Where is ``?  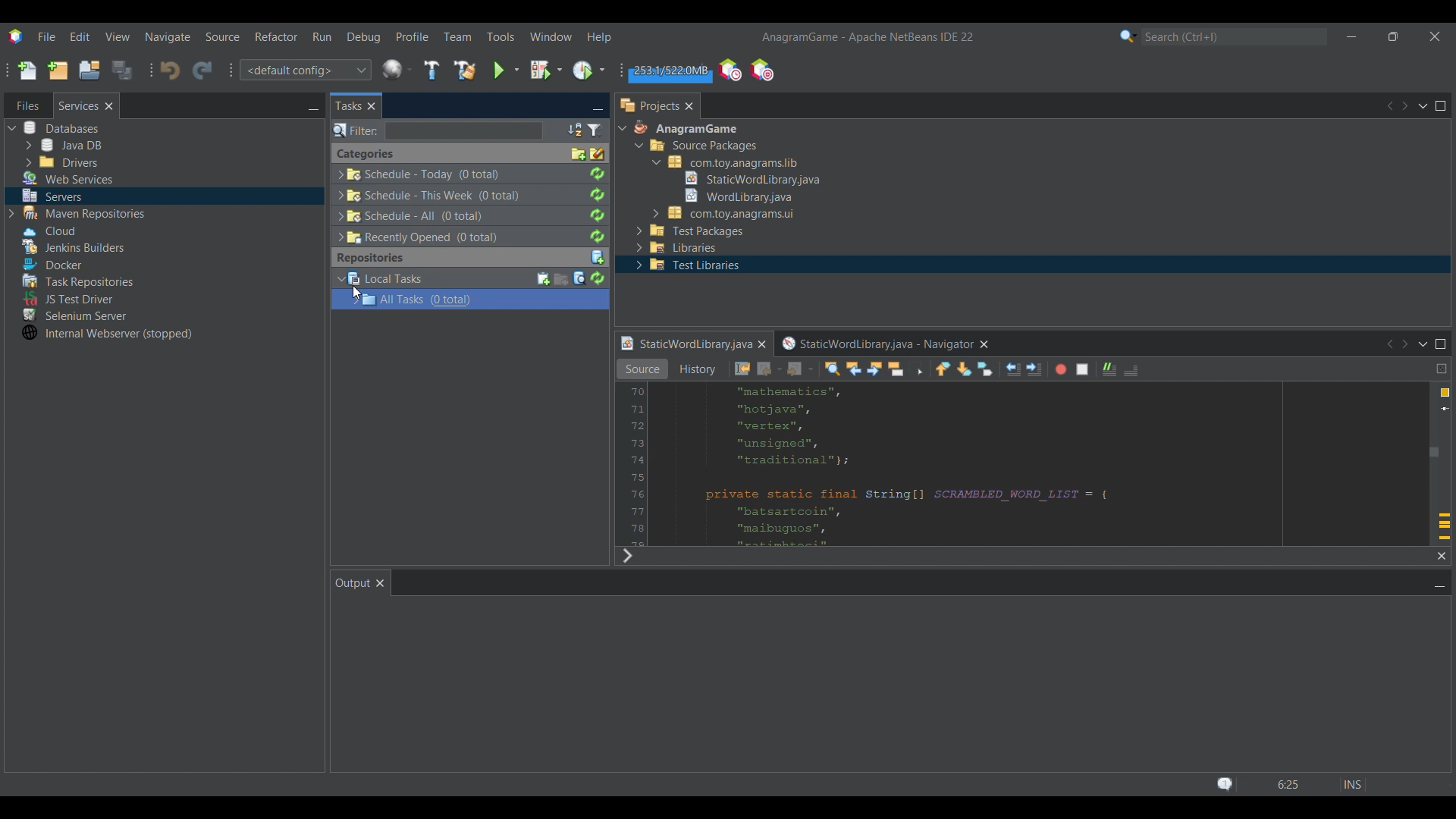  is located at coordinates (67, 179).